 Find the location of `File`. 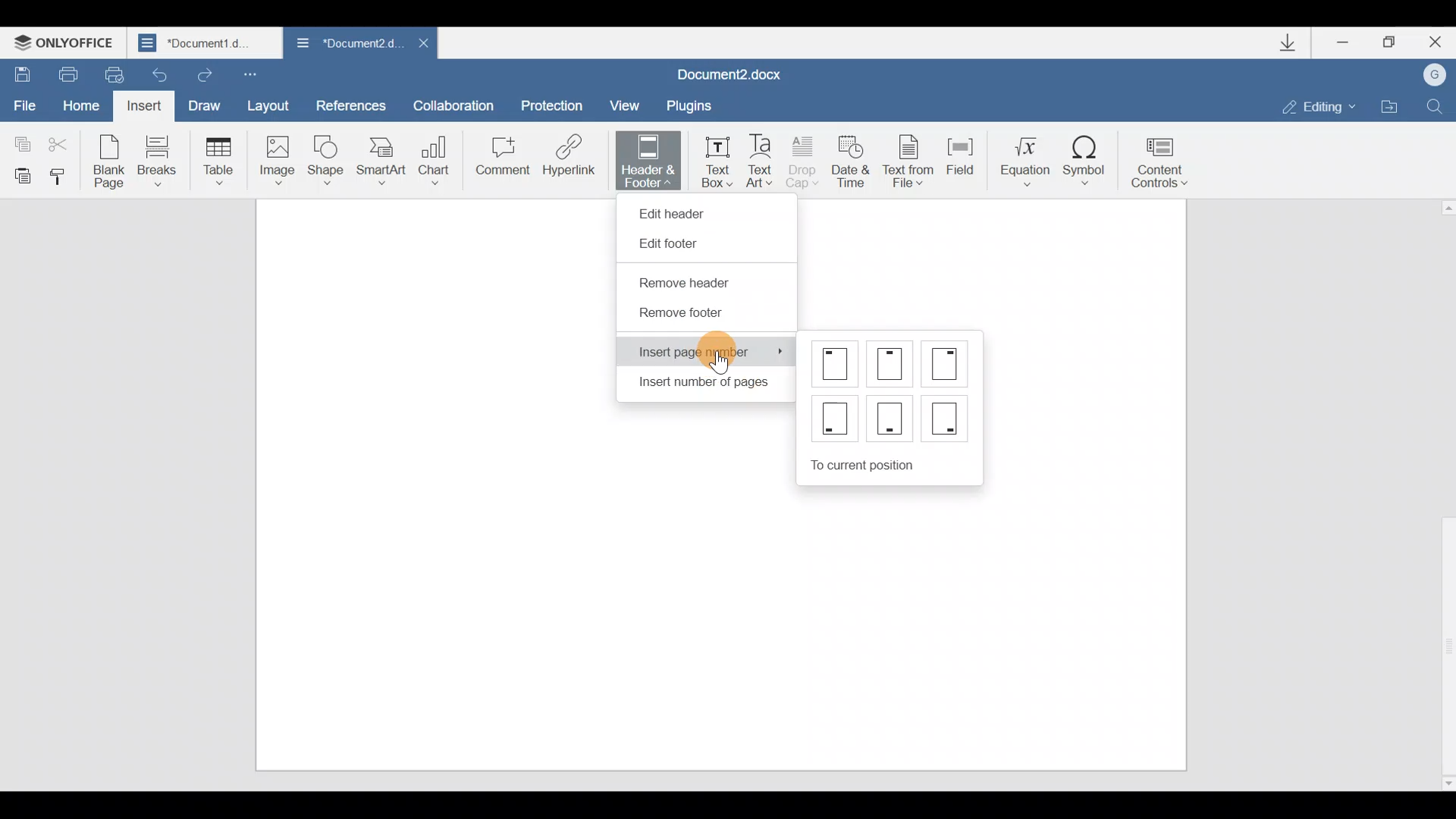

File is located at coordinates (26, 106).